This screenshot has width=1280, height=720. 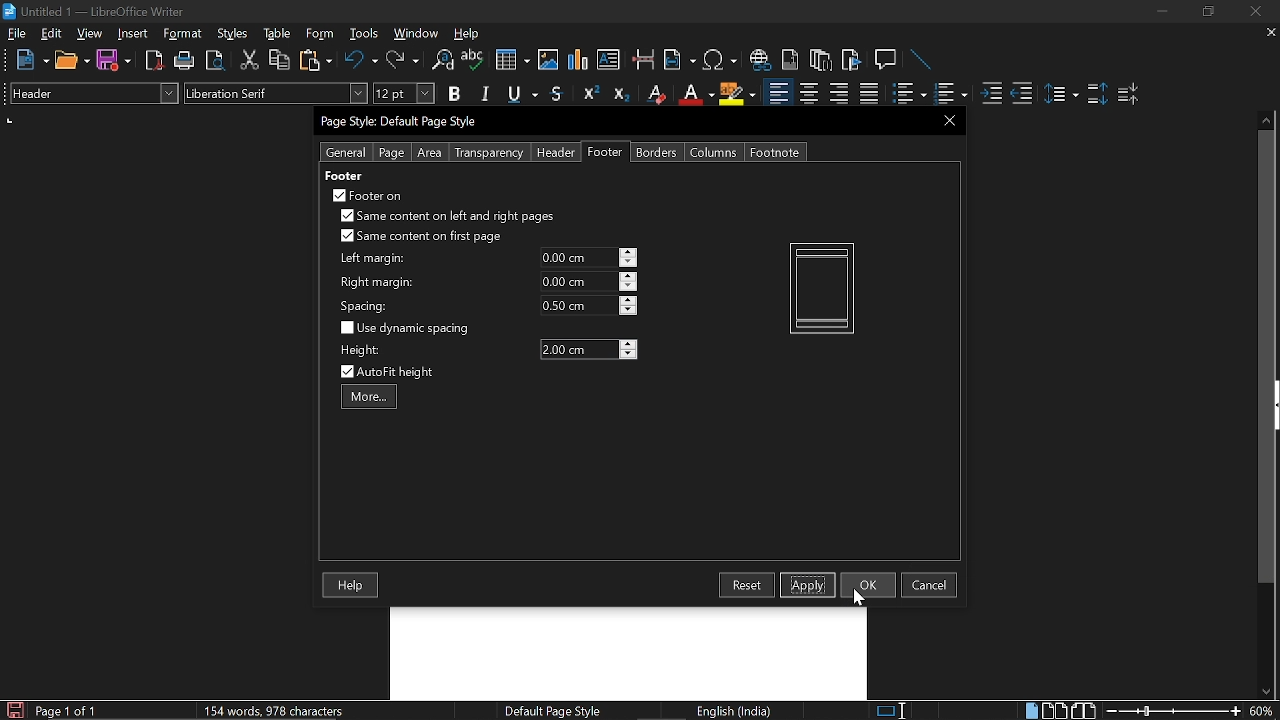 What do you see at coordinates (774, 152) in the screenshot?
I see `Footnote` at bounding box center [774, 152].